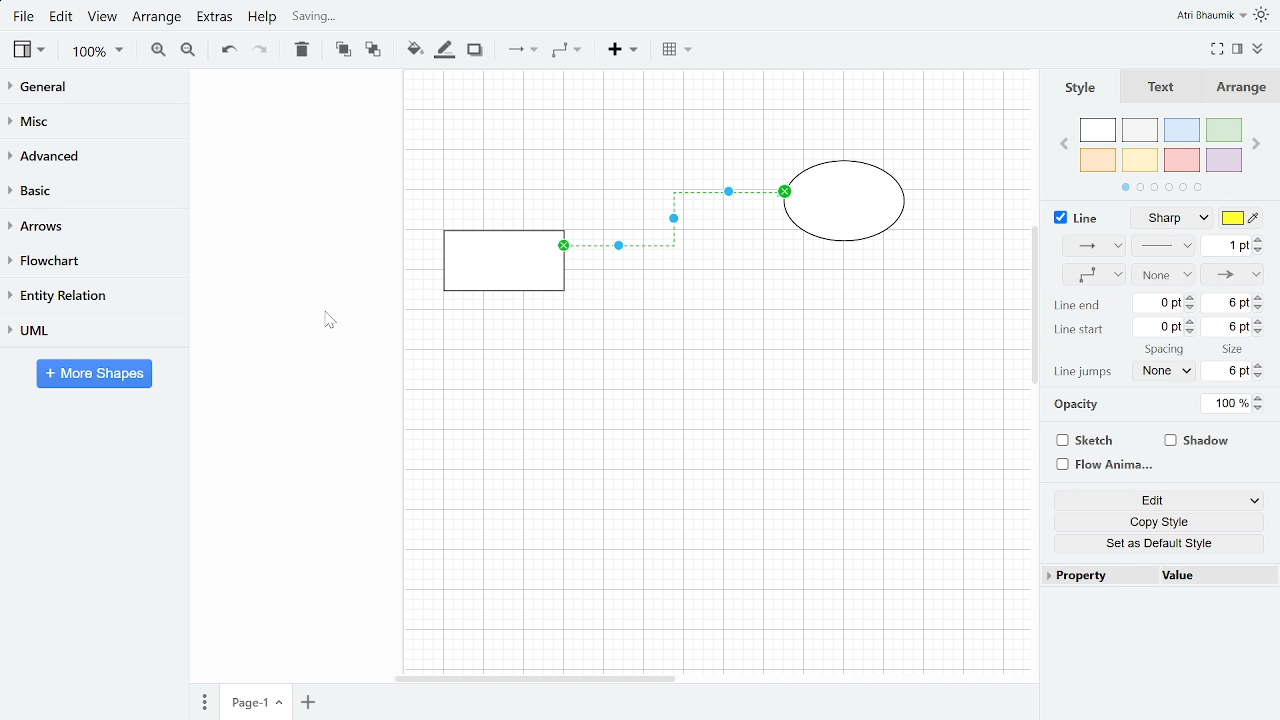  Describe the element at coordinates (1243, 220) in the screenshot. I see `Line color` at that location.